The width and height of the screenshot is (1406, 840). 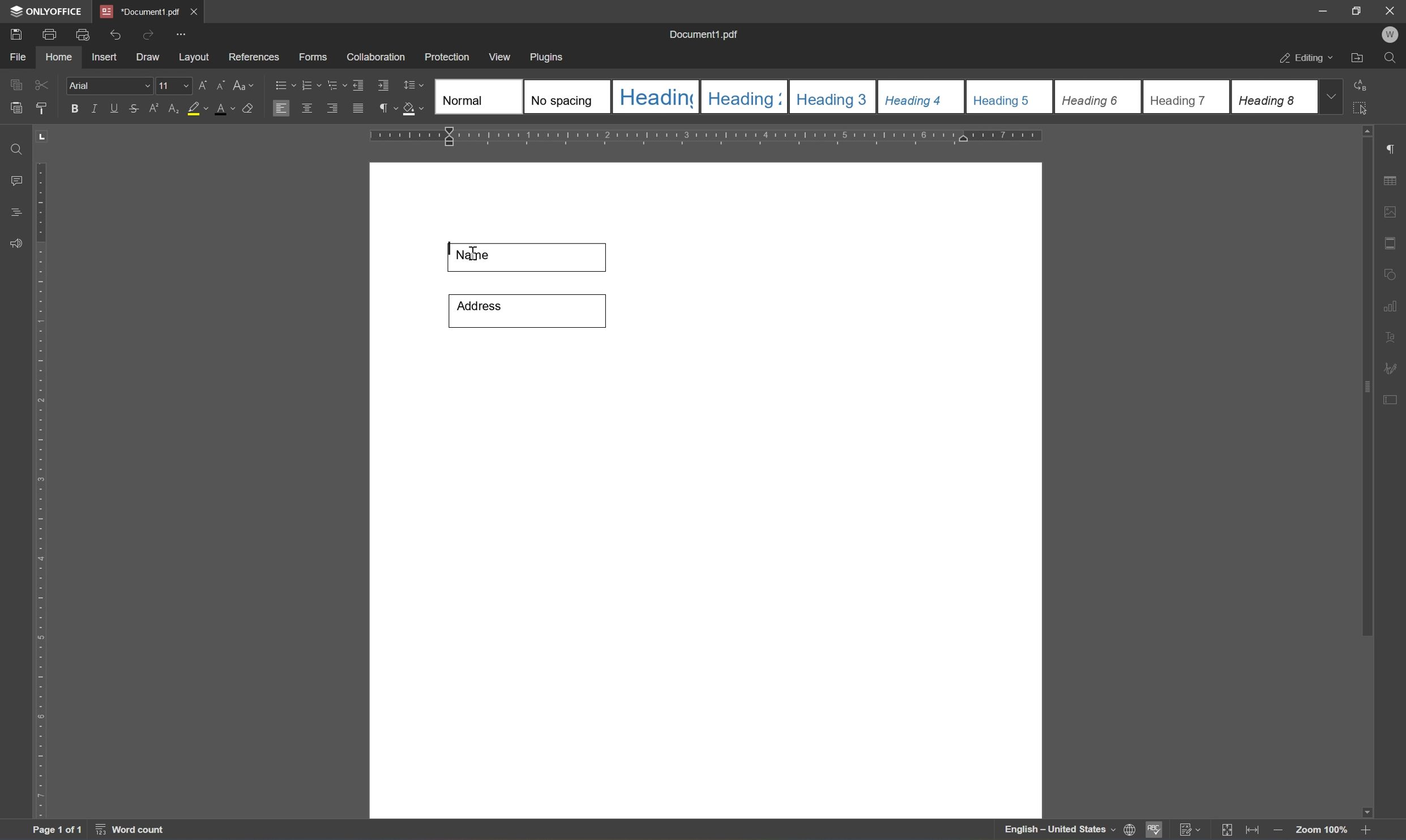 I want to click on decrement font size, so click(x=222, y=85).